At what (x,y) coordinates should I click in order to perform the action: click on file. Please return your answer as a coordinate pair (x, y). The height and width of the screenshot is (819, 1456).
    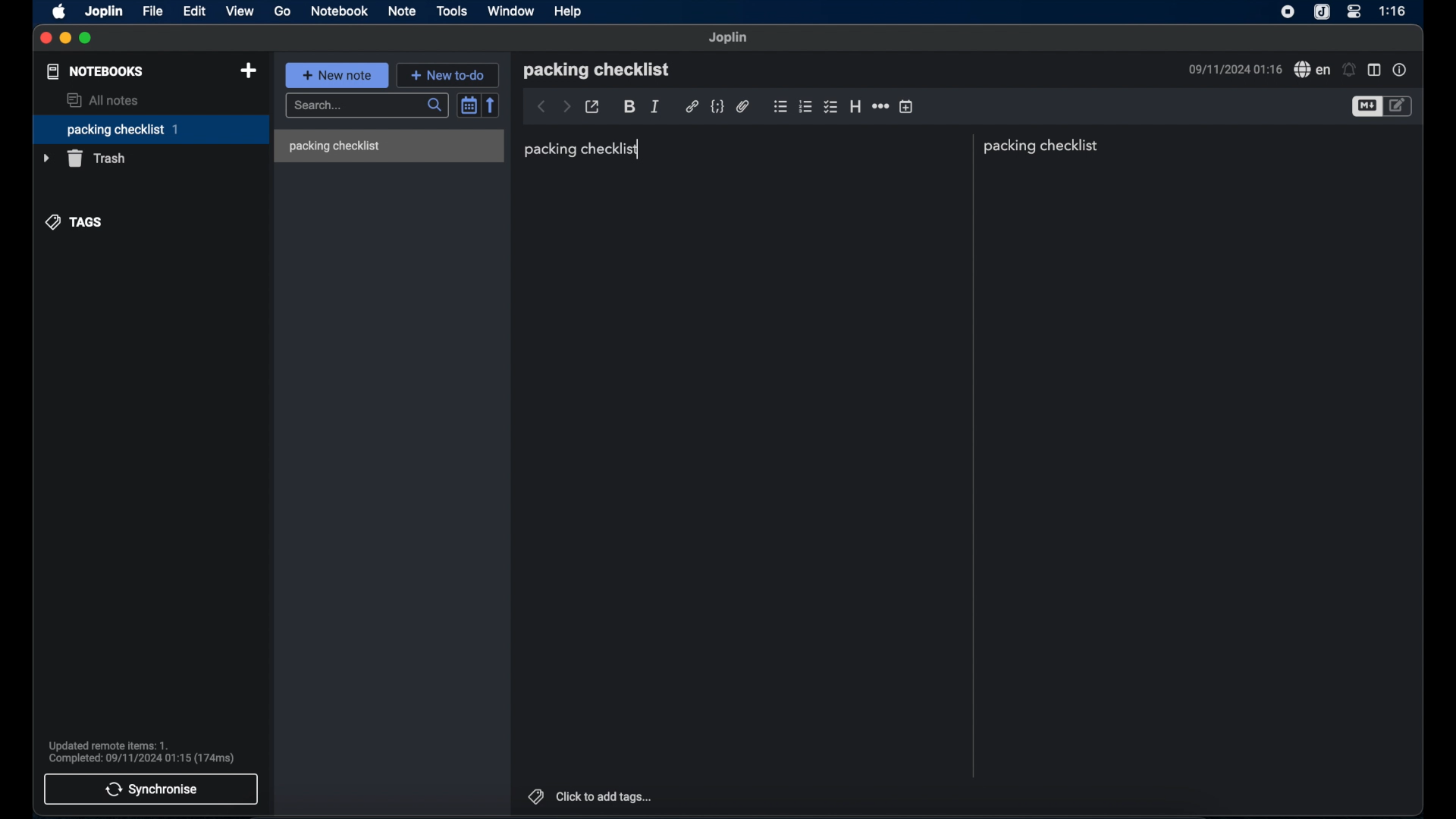
    Looking at the image, I should click on (154, 11).